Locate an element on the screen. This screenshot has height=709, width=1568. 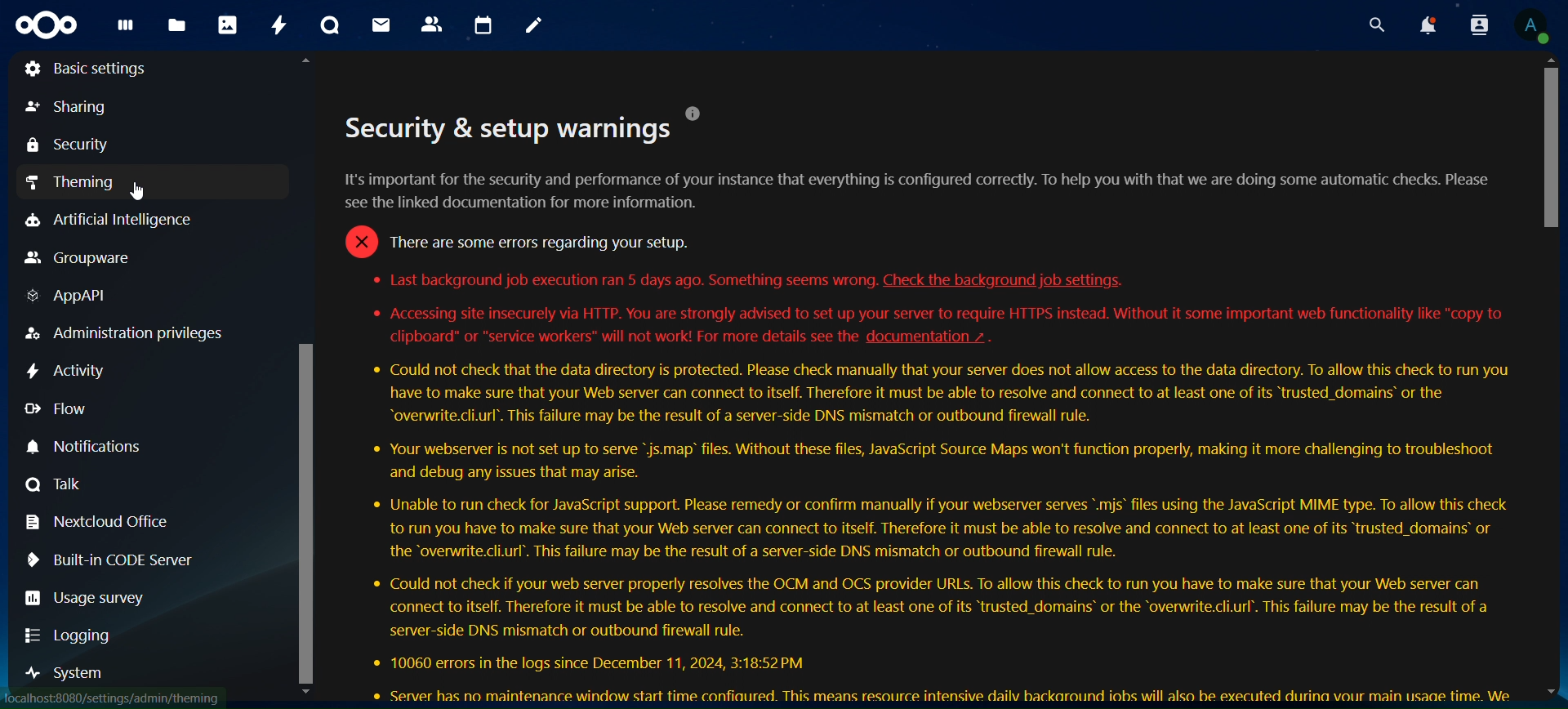
photos is located at coordinates (227, 25).